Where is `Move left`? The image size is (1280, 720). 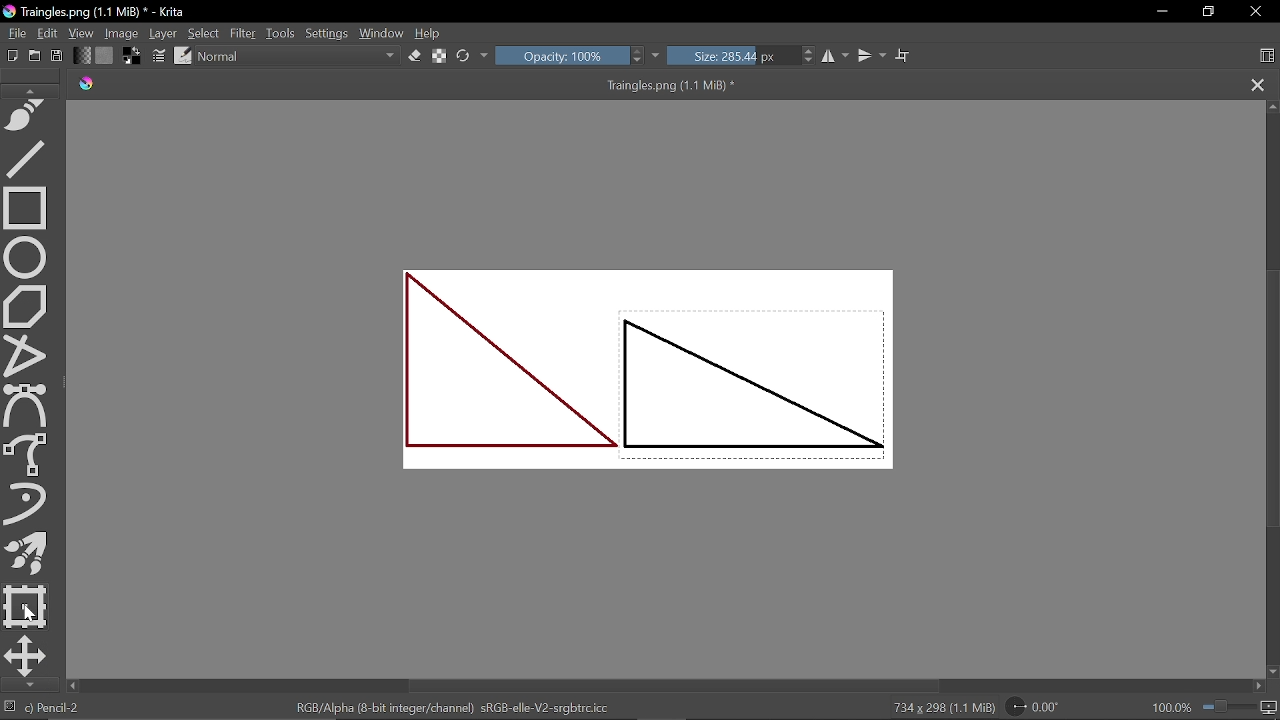 Move left is located at coordinates (72, 686).